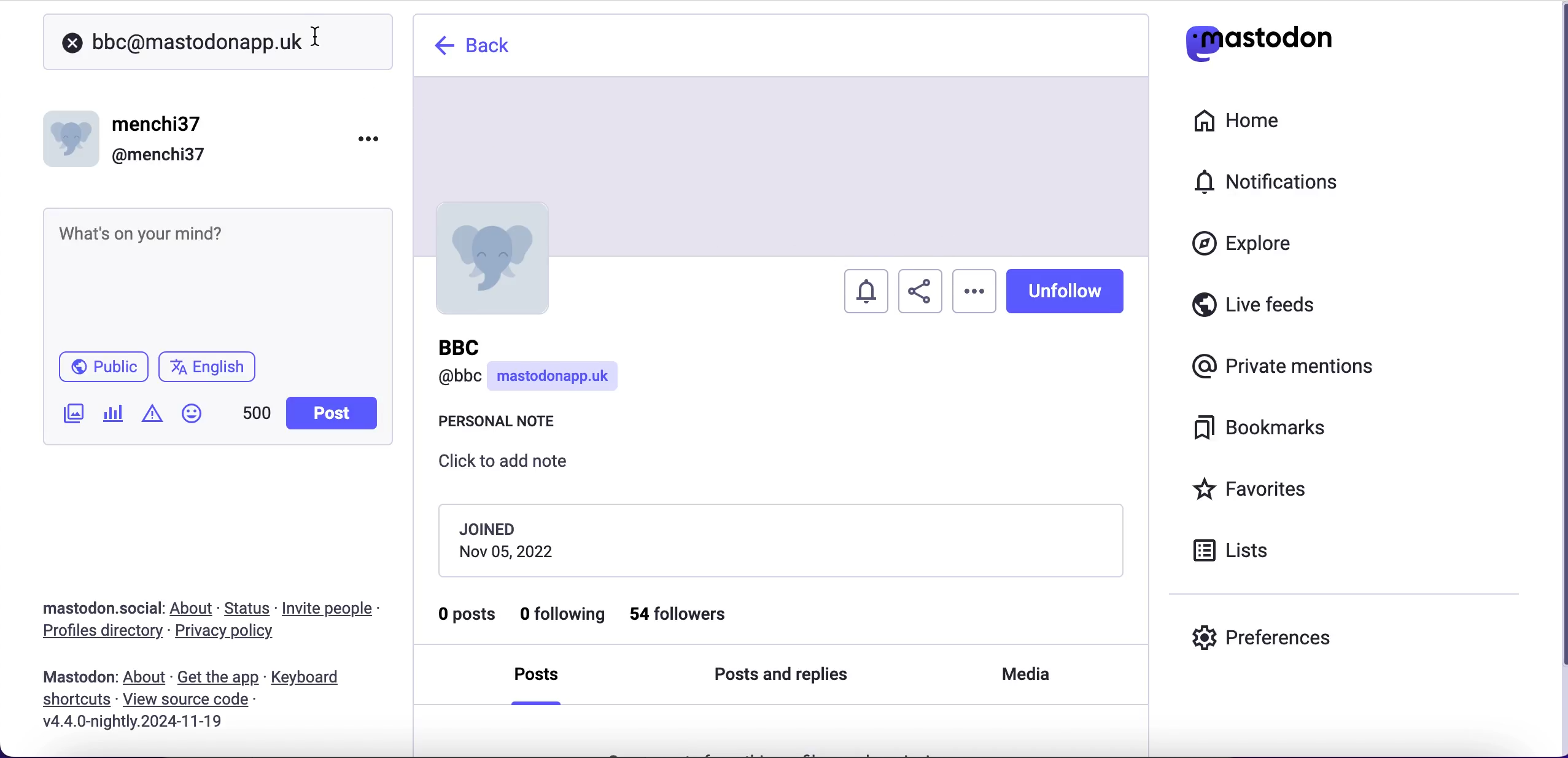  Describe the element at coordinates (689, 614) in the screenshot. I see `54 followers` at that location.